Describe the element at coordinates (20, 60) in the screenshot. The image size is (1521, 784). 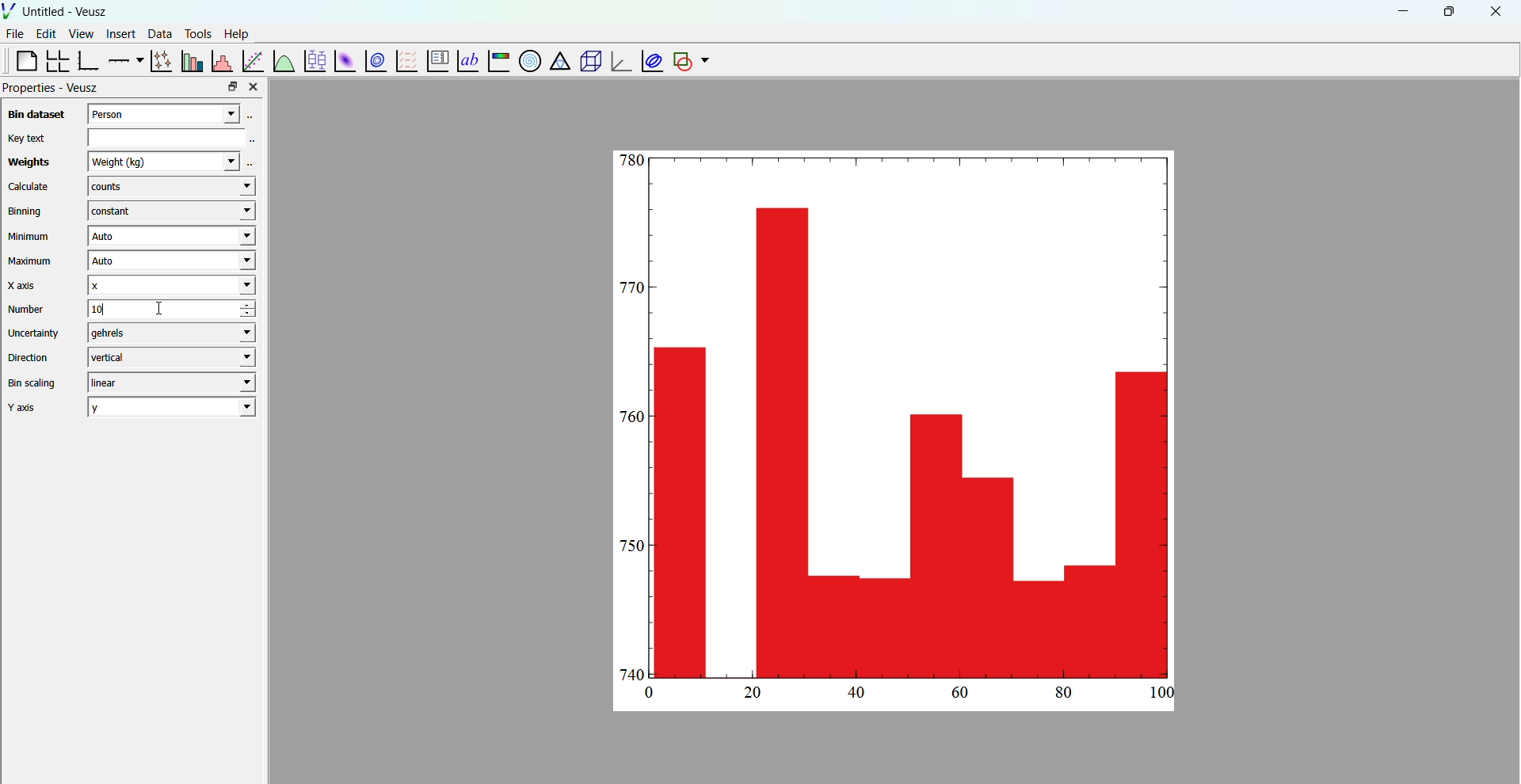
I see `blank page` at that location.